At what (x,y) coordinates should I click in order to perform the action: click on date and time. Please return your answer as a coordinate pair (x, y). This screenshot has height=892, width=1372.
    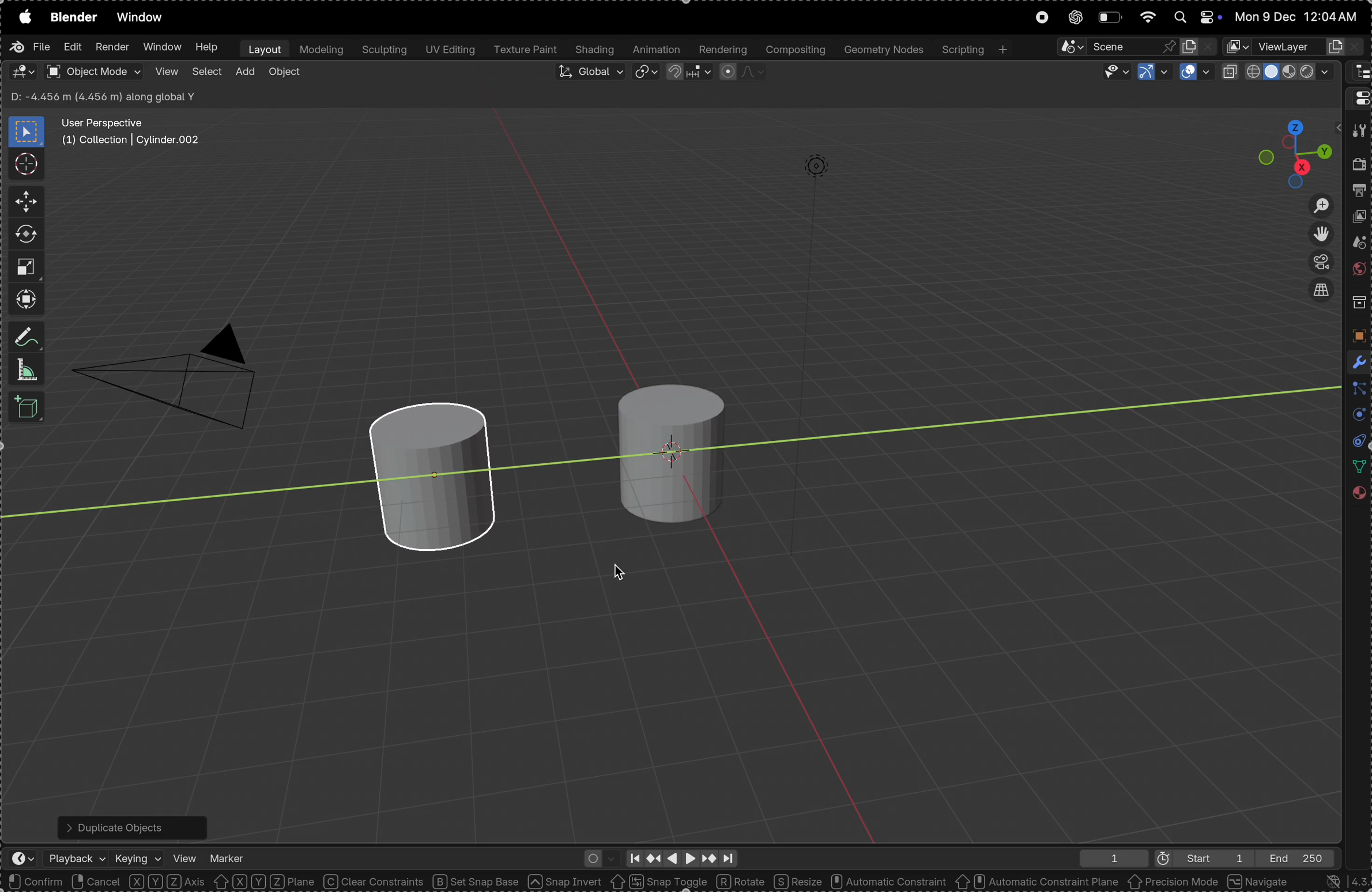
    Looking at the image, I should click on (1299, 17).